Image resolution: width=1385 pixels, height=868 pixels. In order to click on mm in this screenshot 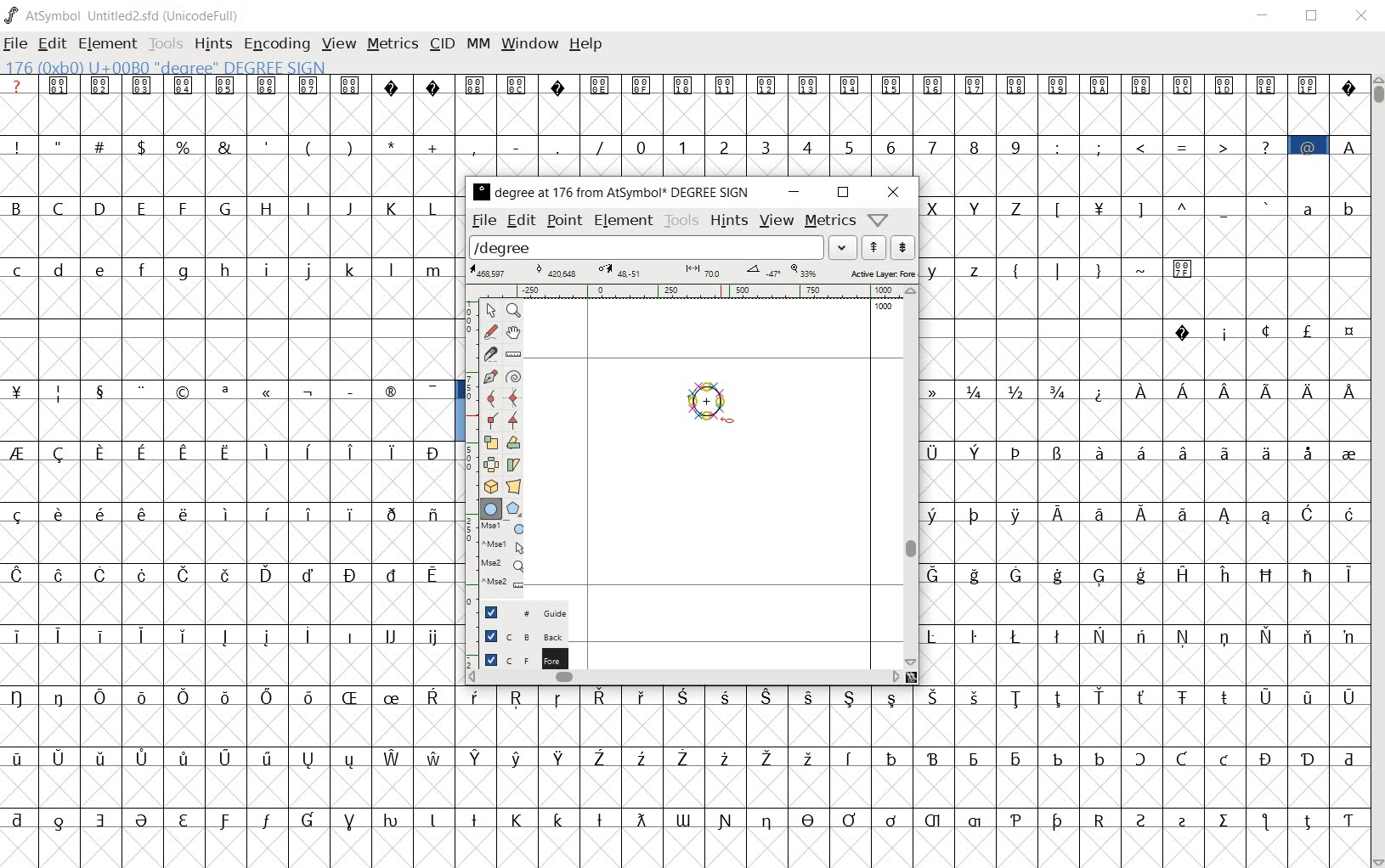, I will do `click(478, 44)`.